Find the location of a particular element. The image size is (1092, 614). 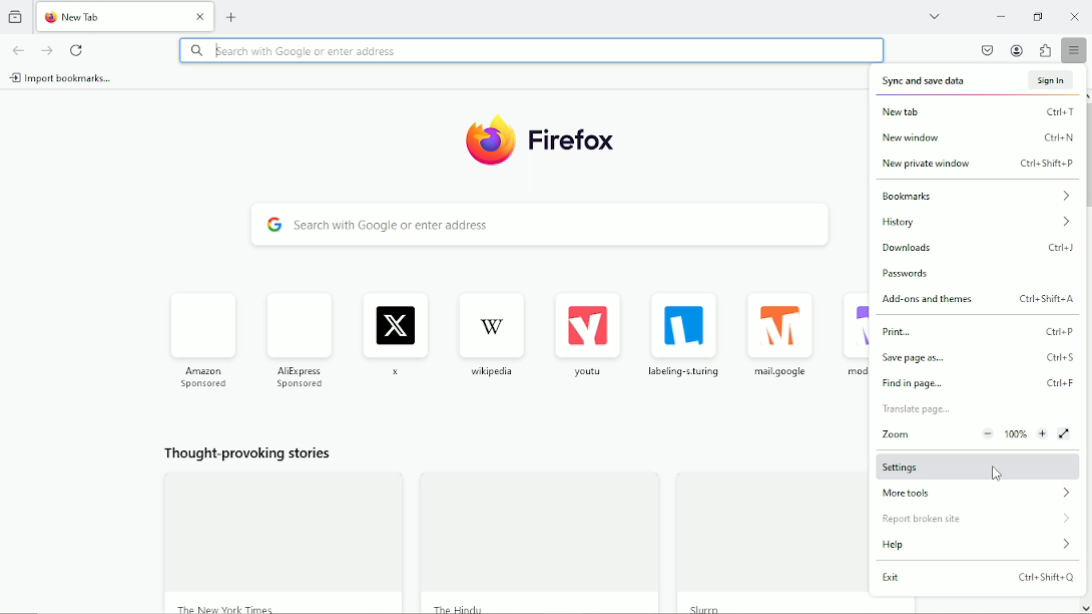

report broken site is located at coordinates (976, 521).